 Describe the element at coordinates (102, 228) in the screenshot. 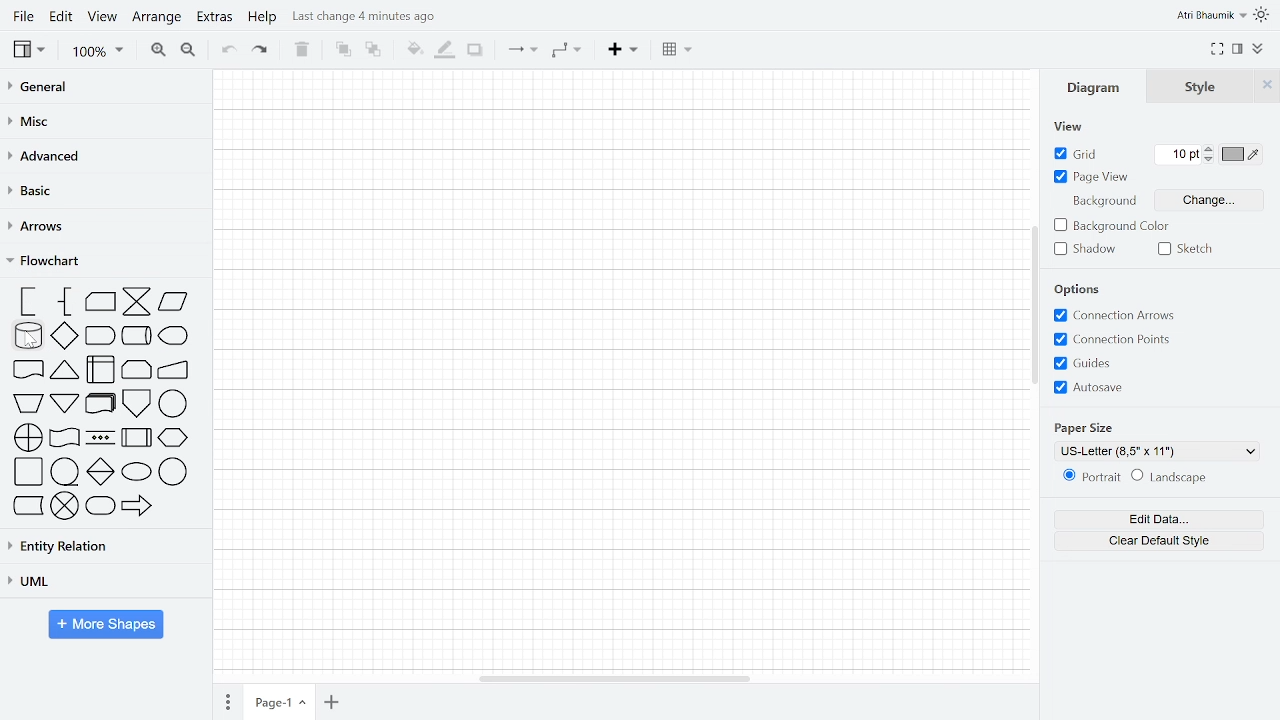

I see `Arrows` at that location.